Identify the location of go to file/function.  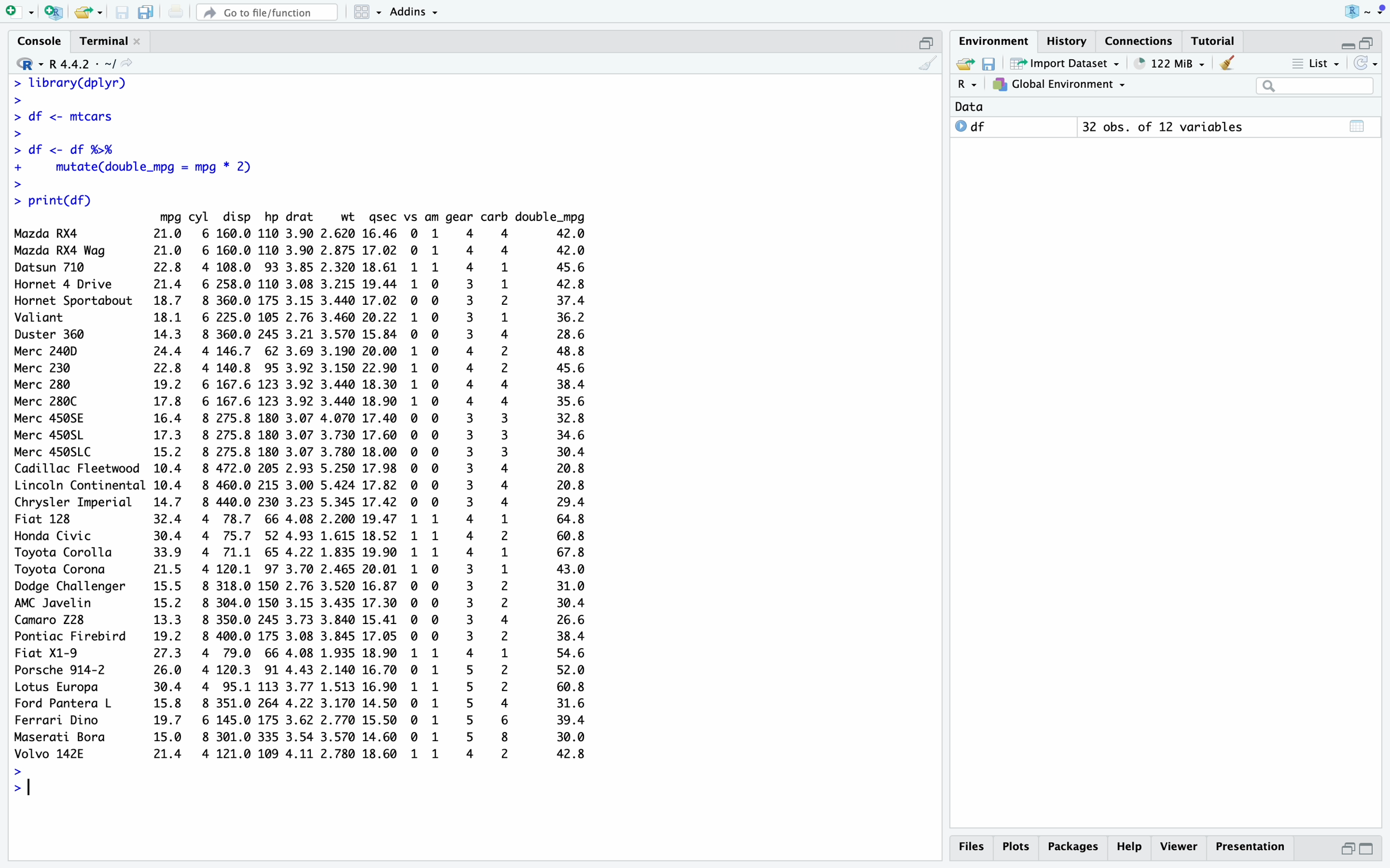
(268, 13).